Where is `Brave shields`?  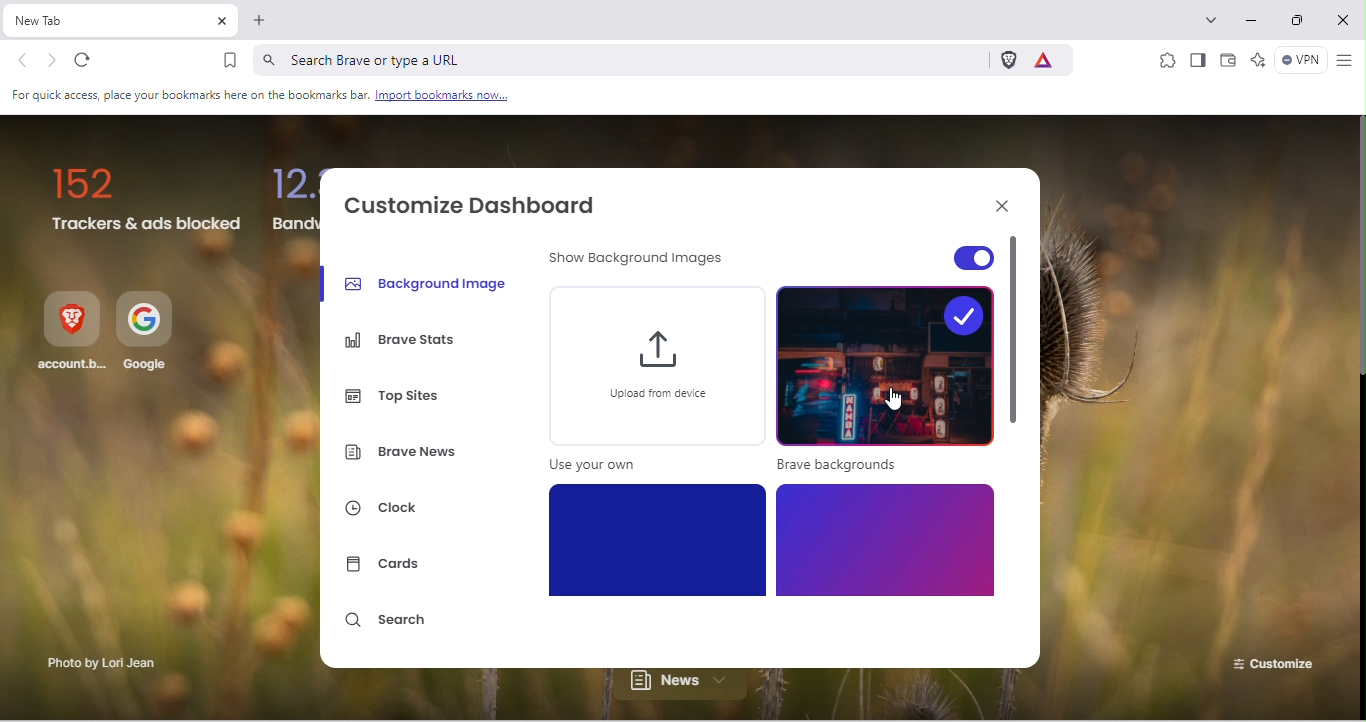 Brave shields is located at coordinates (1007, 60).